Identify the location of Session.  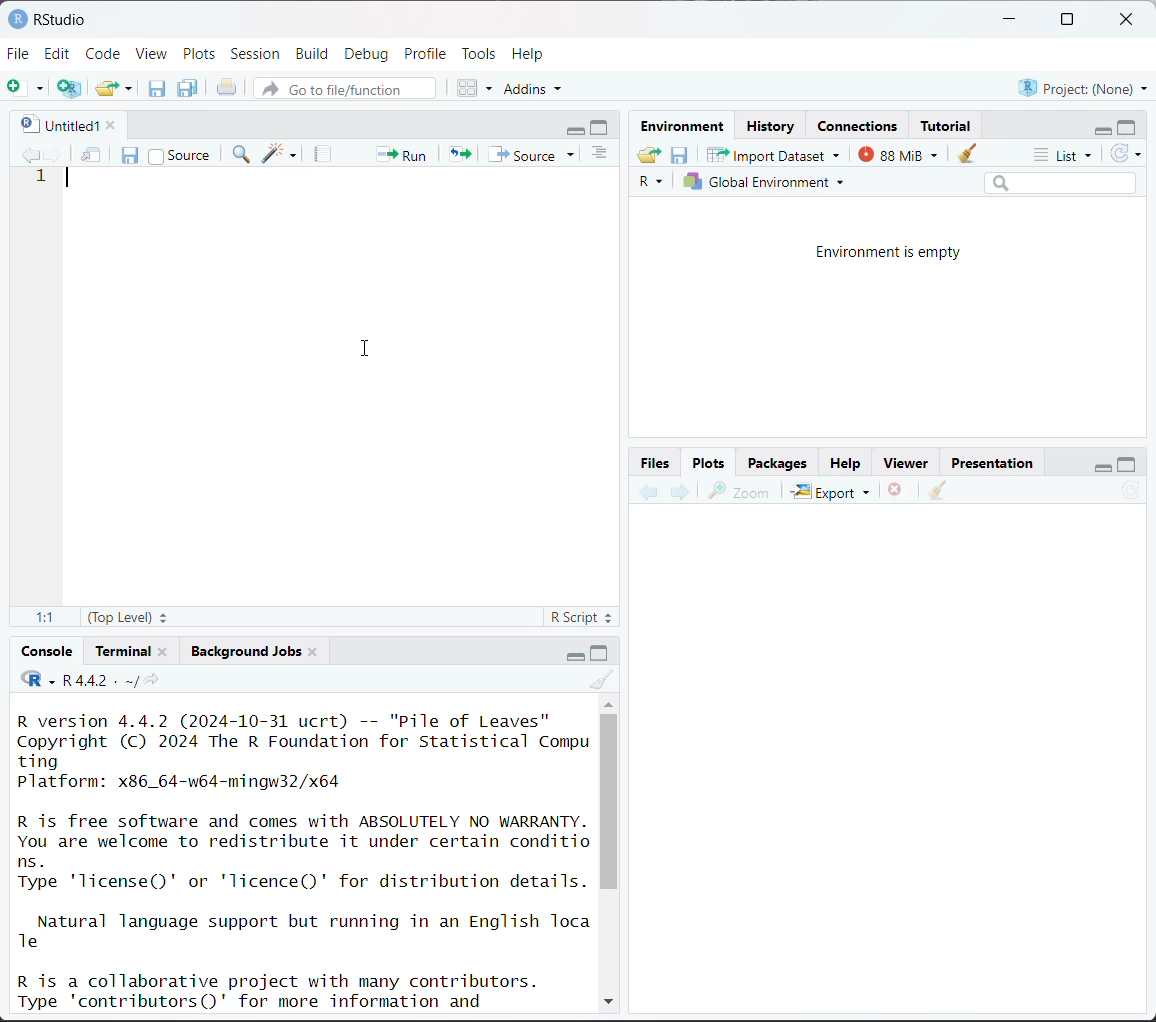
(256, 55).